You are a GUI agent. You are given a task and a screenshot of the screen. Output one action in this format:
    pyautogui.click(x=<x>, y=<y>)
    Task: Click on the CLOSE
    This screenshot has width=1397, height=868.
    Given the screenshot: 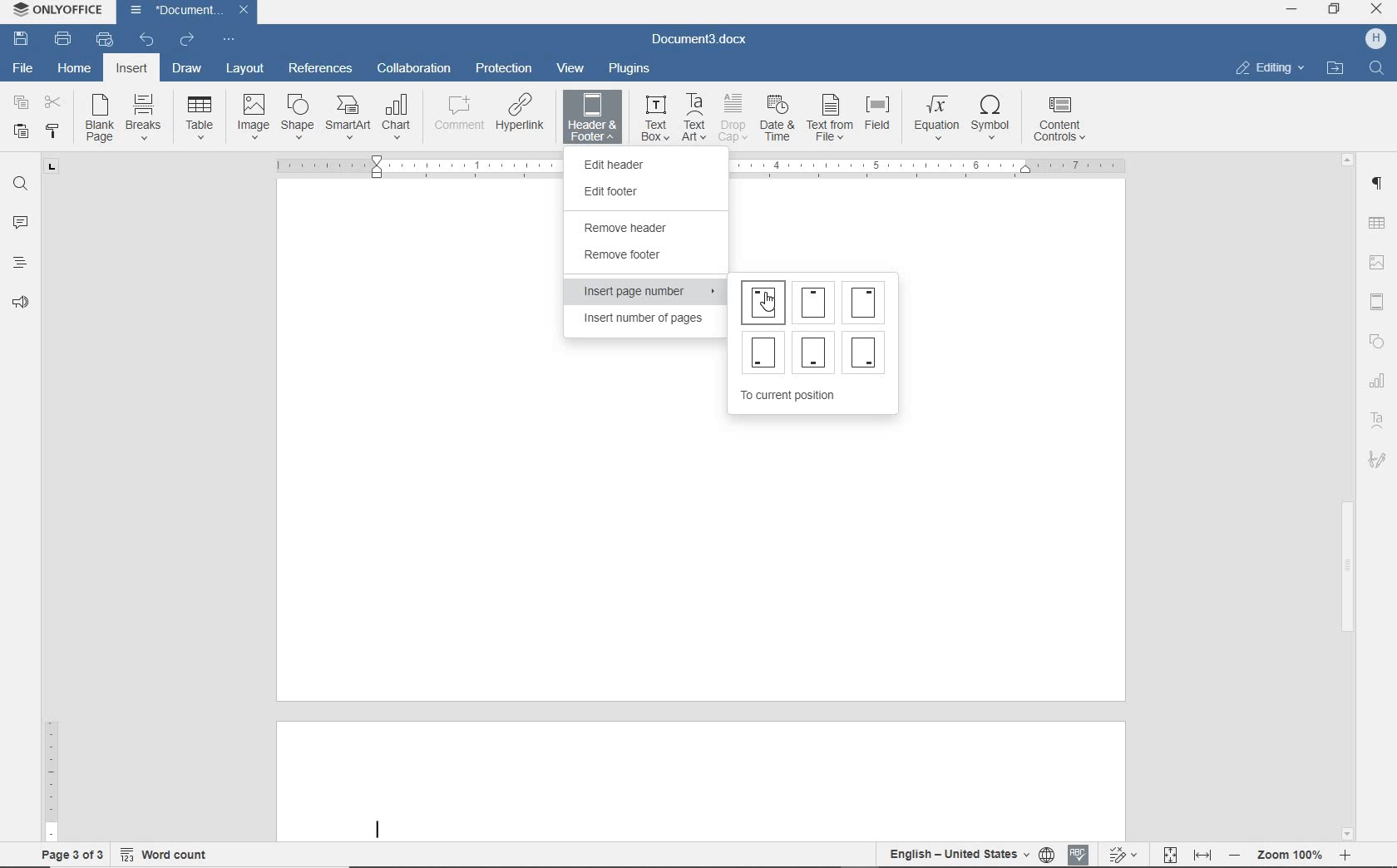 What is the action you would take?
    pyautogui.click(x=1377, y=12)
    